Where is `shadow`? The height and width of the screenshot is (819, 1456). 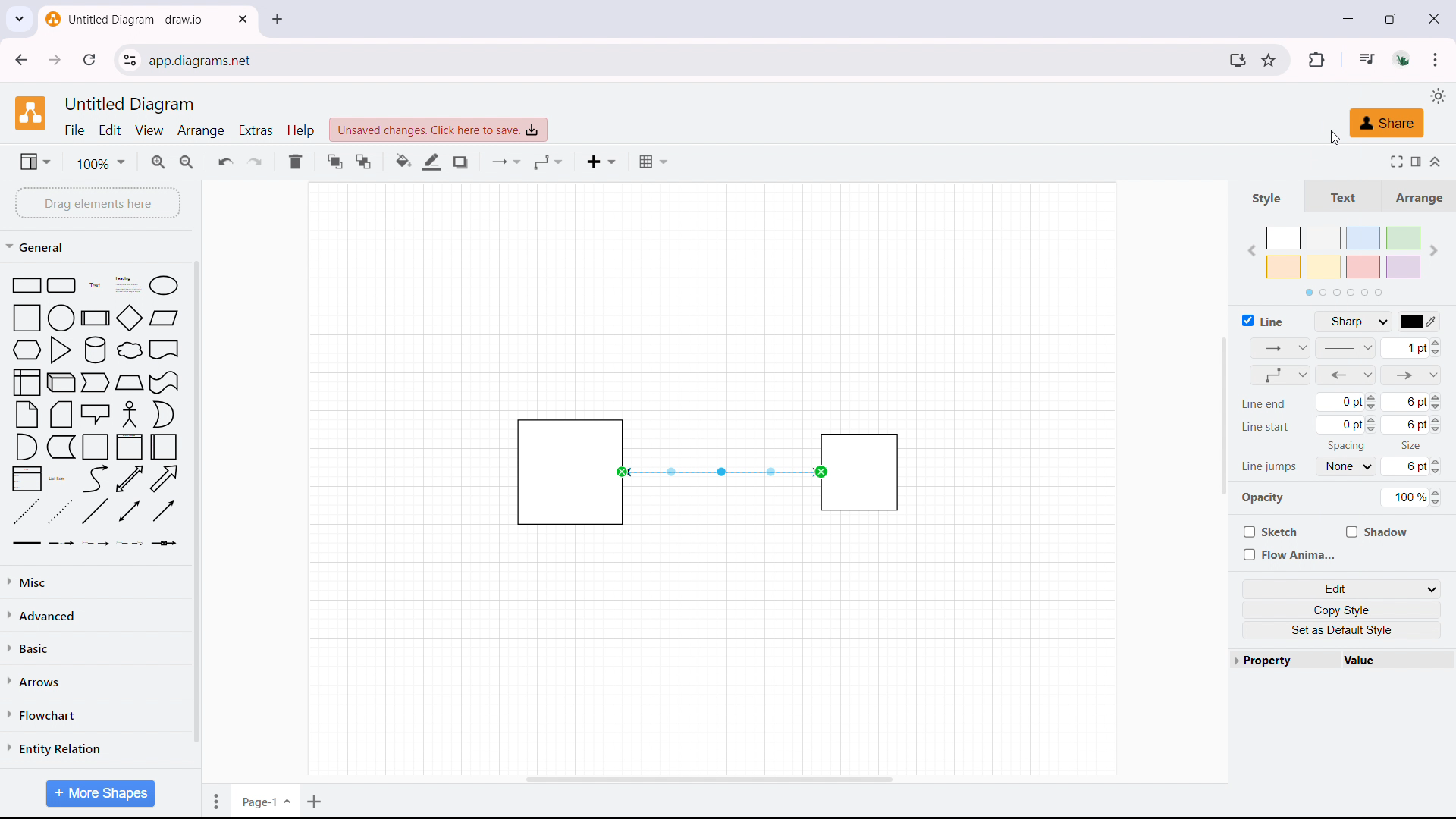 shadow is located at coordinates (460, 162).